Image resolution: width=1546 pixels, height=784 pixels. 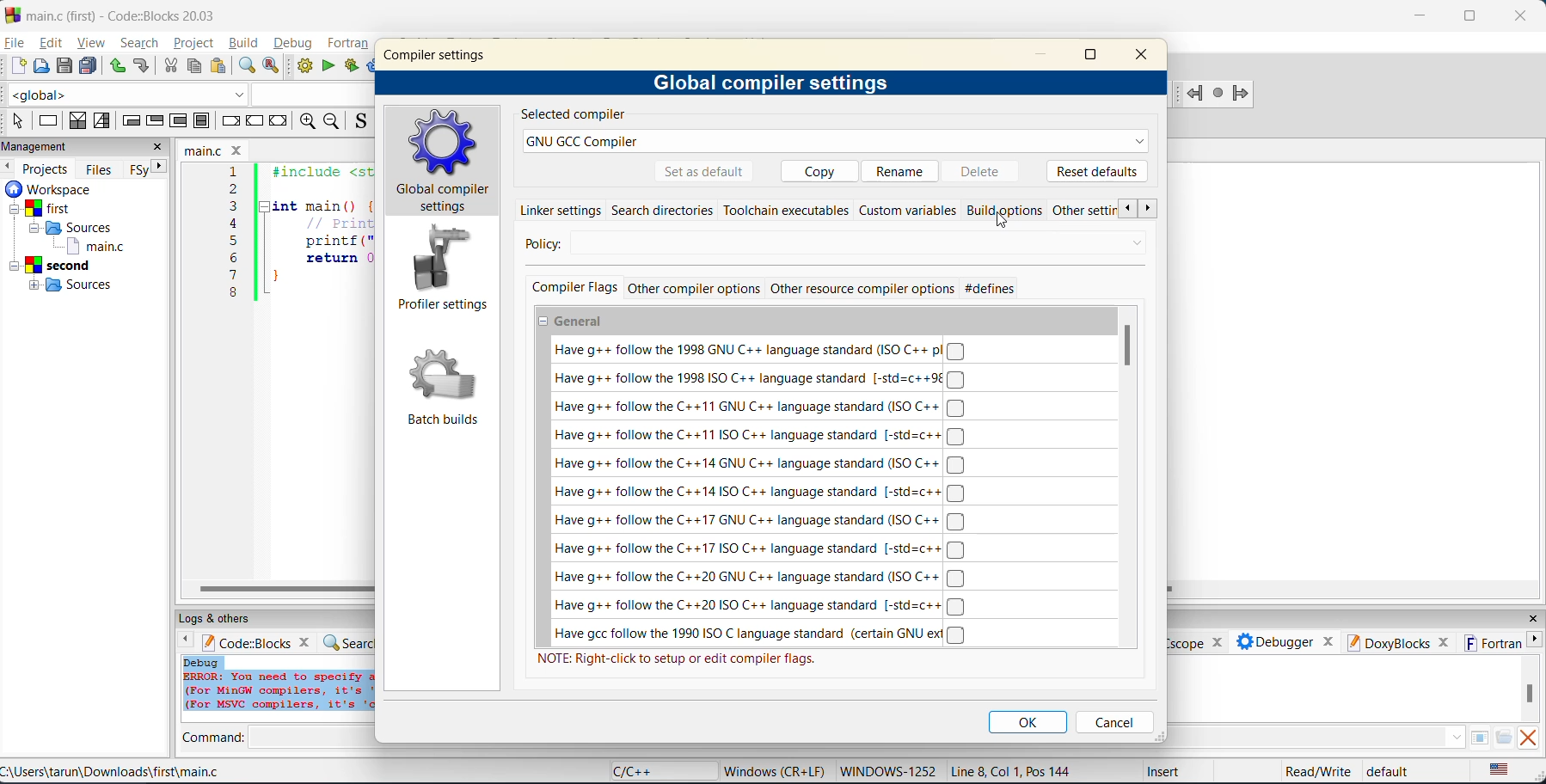 I want to click on previous, so click(x=1128, y=209).